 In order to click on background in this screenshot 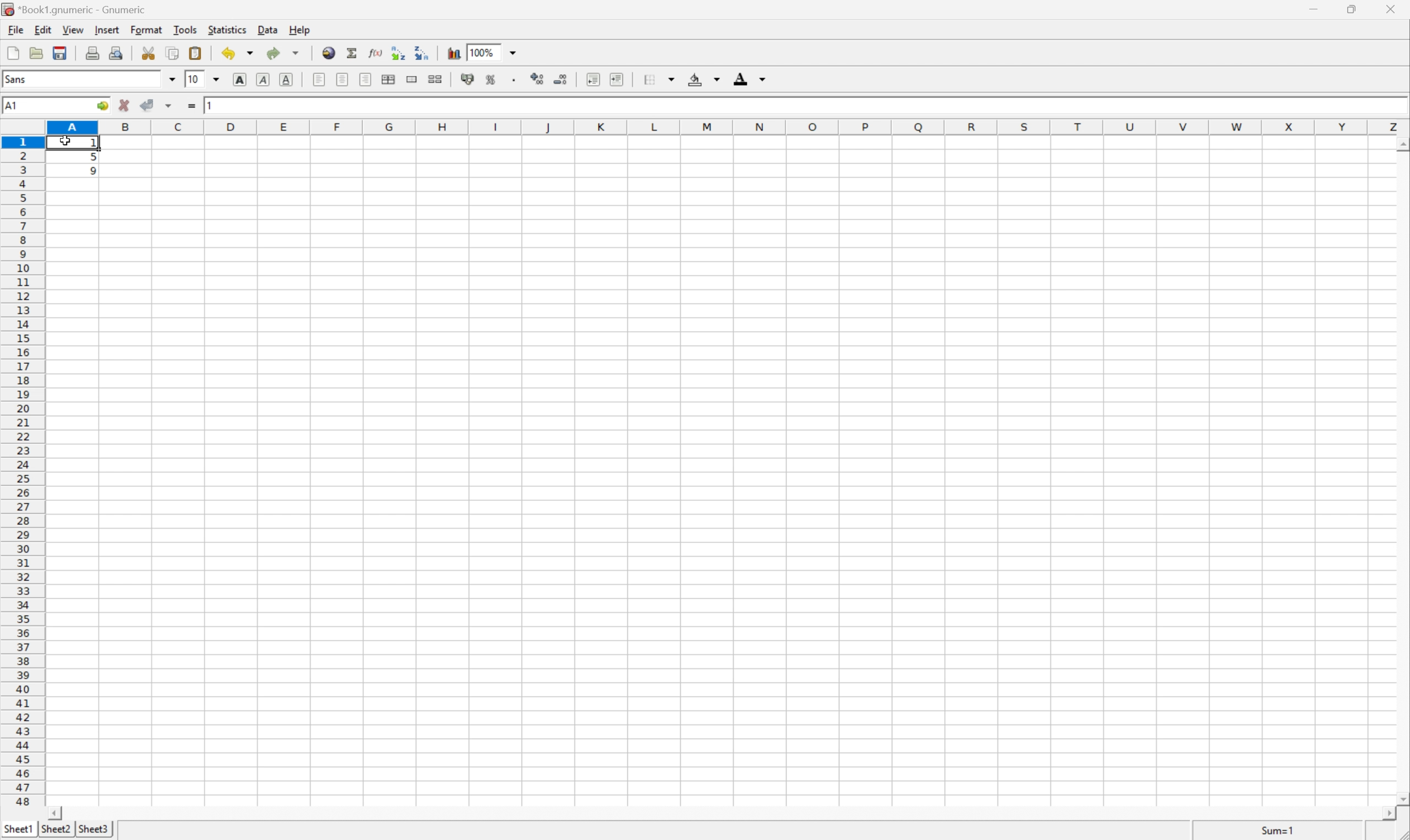, I will do `click(704, 78)`.